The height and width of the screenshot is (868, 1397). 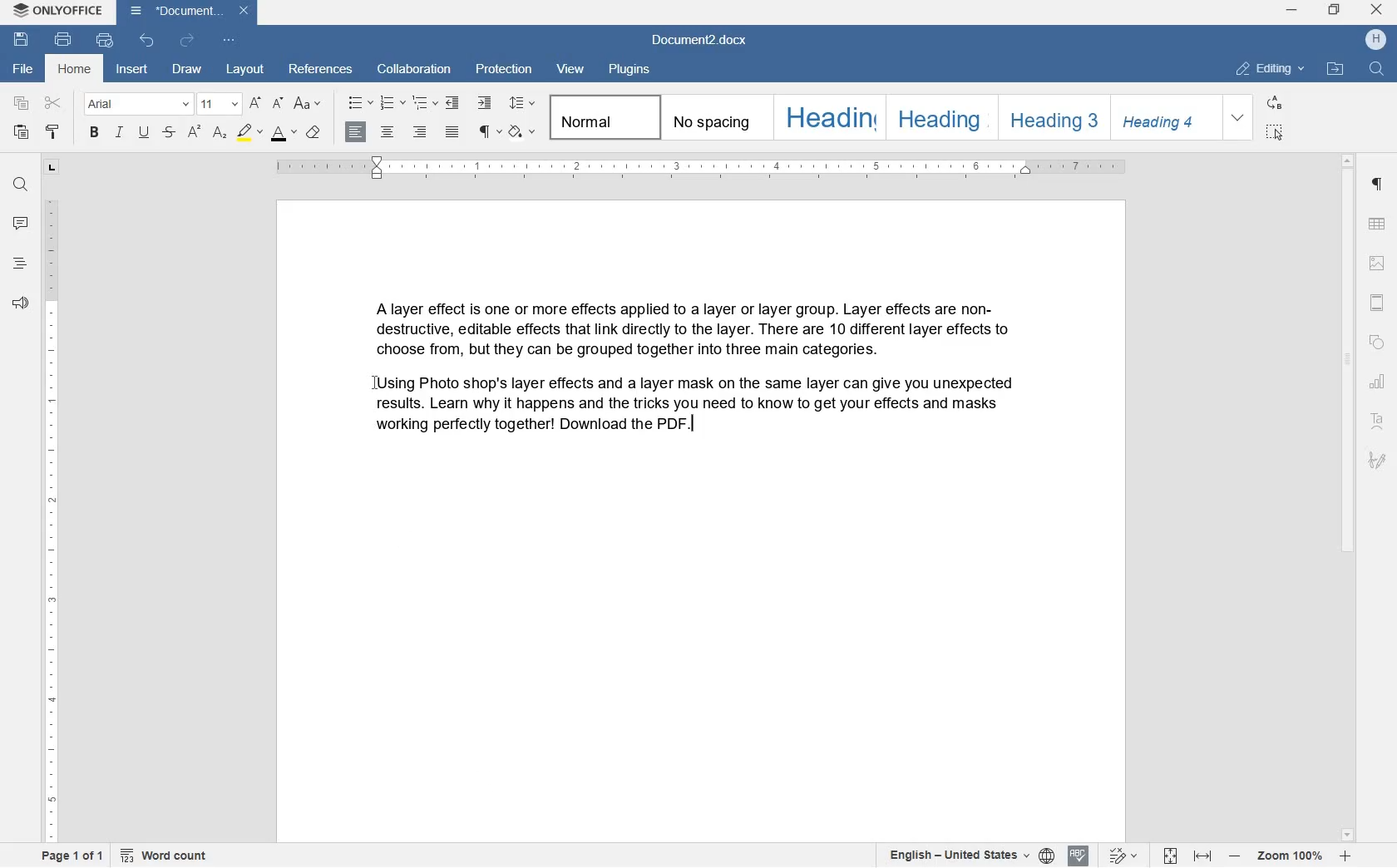 I want to click on DOCUMENT2.DOCX, so click(x=188, y=13).